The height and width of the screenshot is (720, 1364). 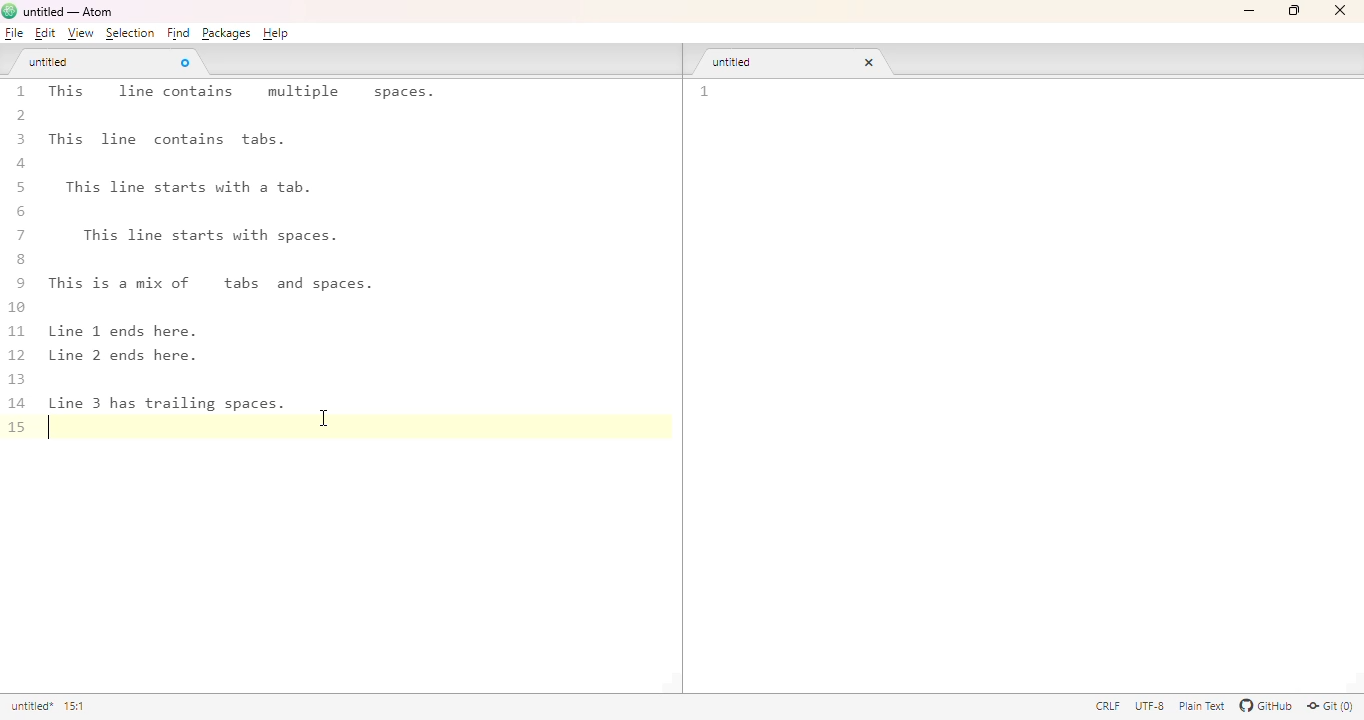 I want to click on view, so click(x=80, y=34).